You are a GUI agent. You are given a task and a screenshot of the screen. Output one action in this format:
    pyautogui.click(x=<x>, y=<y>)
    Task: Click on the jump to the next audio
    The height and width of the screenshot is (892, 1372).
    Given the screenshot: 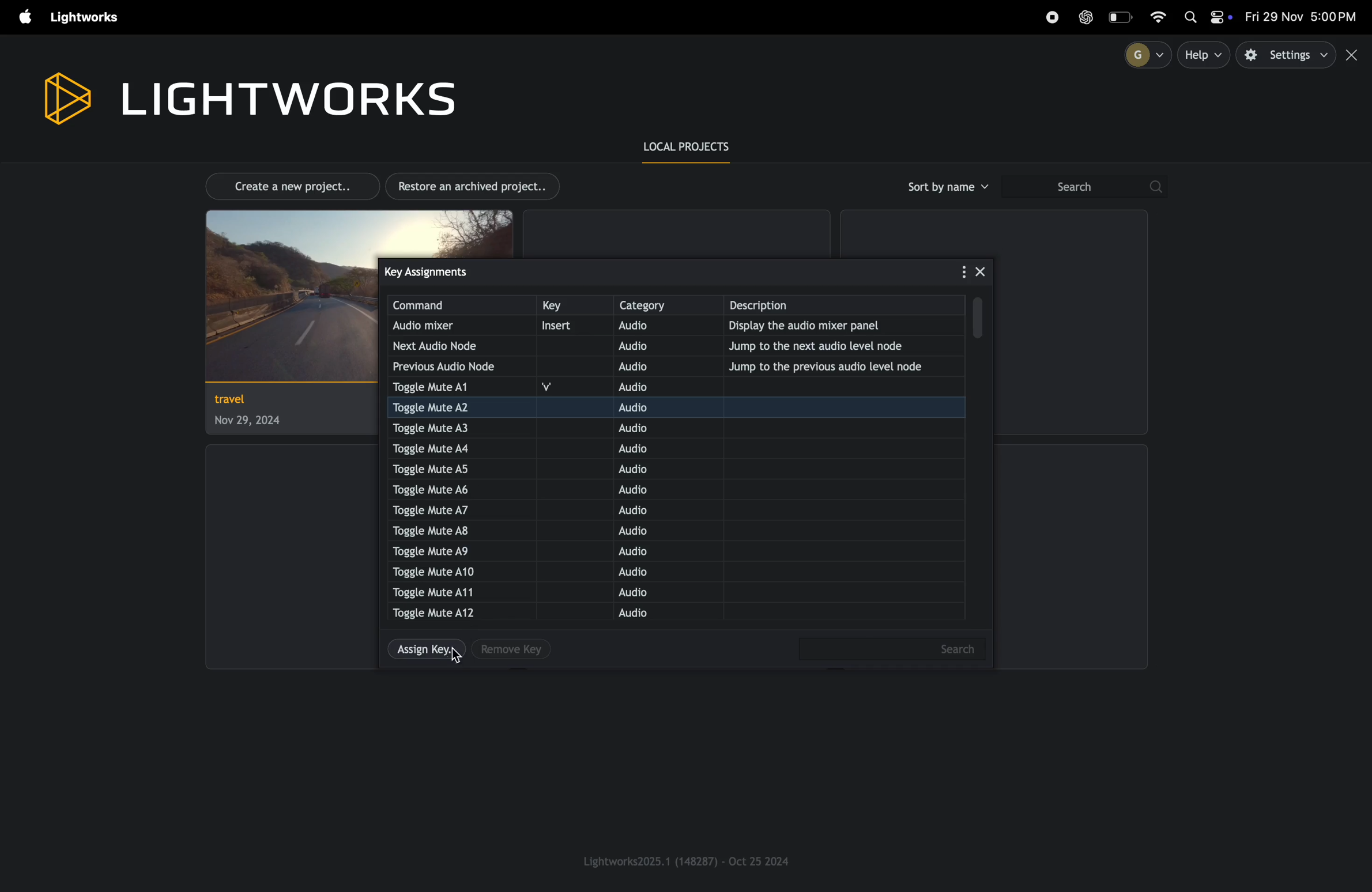 What is the action you would take?
    pyautogui.click(x=842, y=345)
    